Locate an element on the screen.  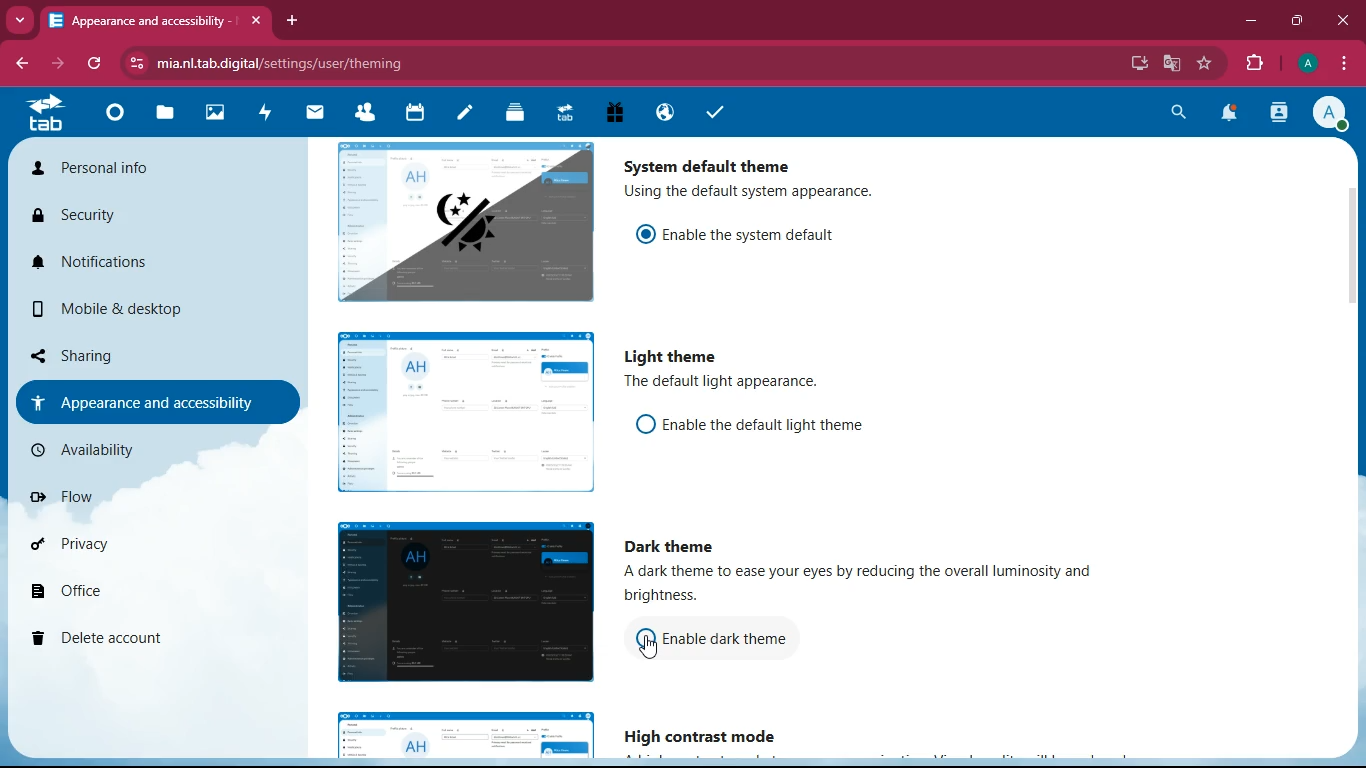
menu is located at coordinates (1345, 64).